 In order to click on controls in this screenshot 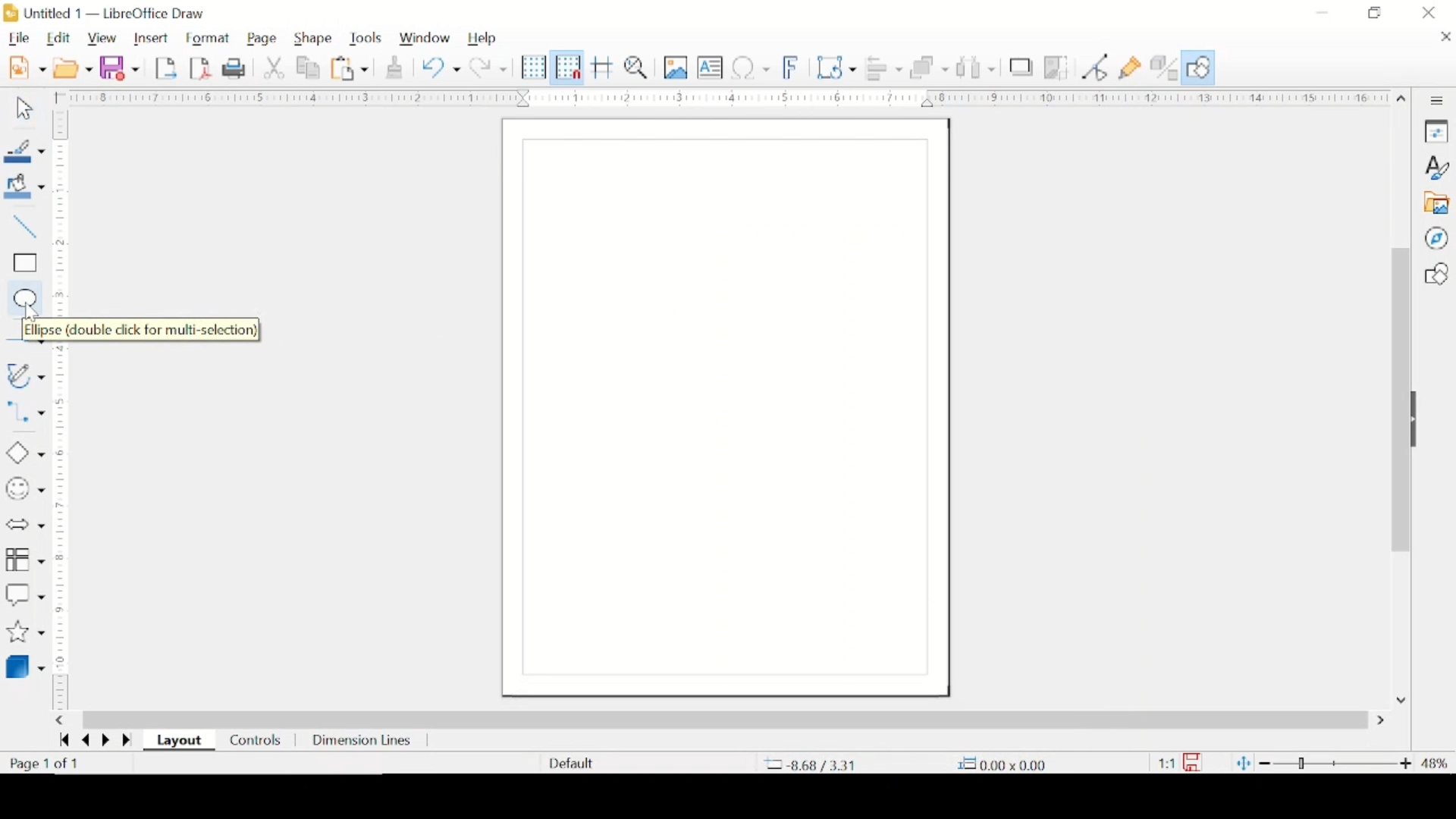, I will do `click(256, 739)`.